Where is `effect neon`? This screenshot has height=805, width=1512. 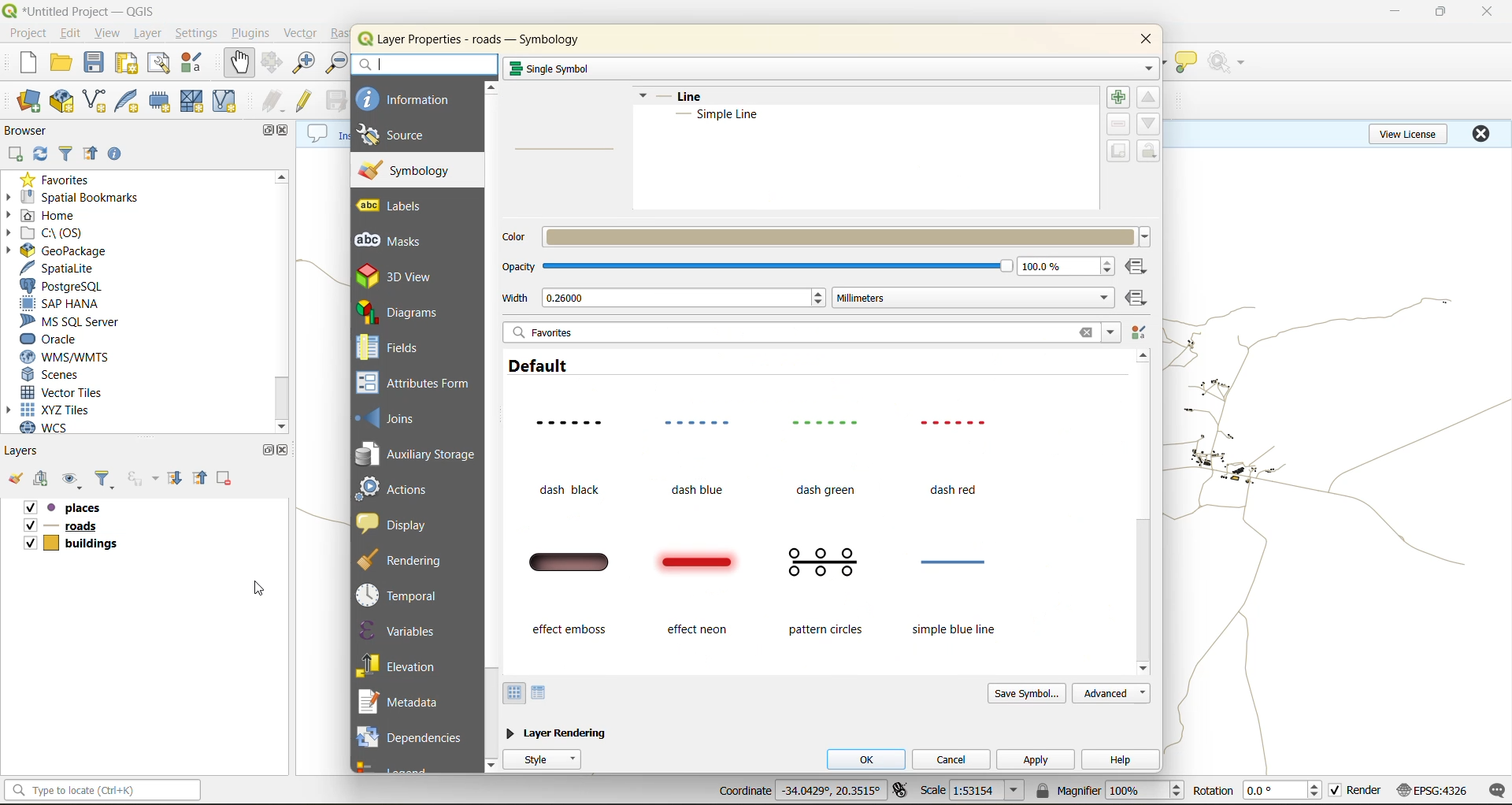
effect neon is located at coordinates (705, 592).